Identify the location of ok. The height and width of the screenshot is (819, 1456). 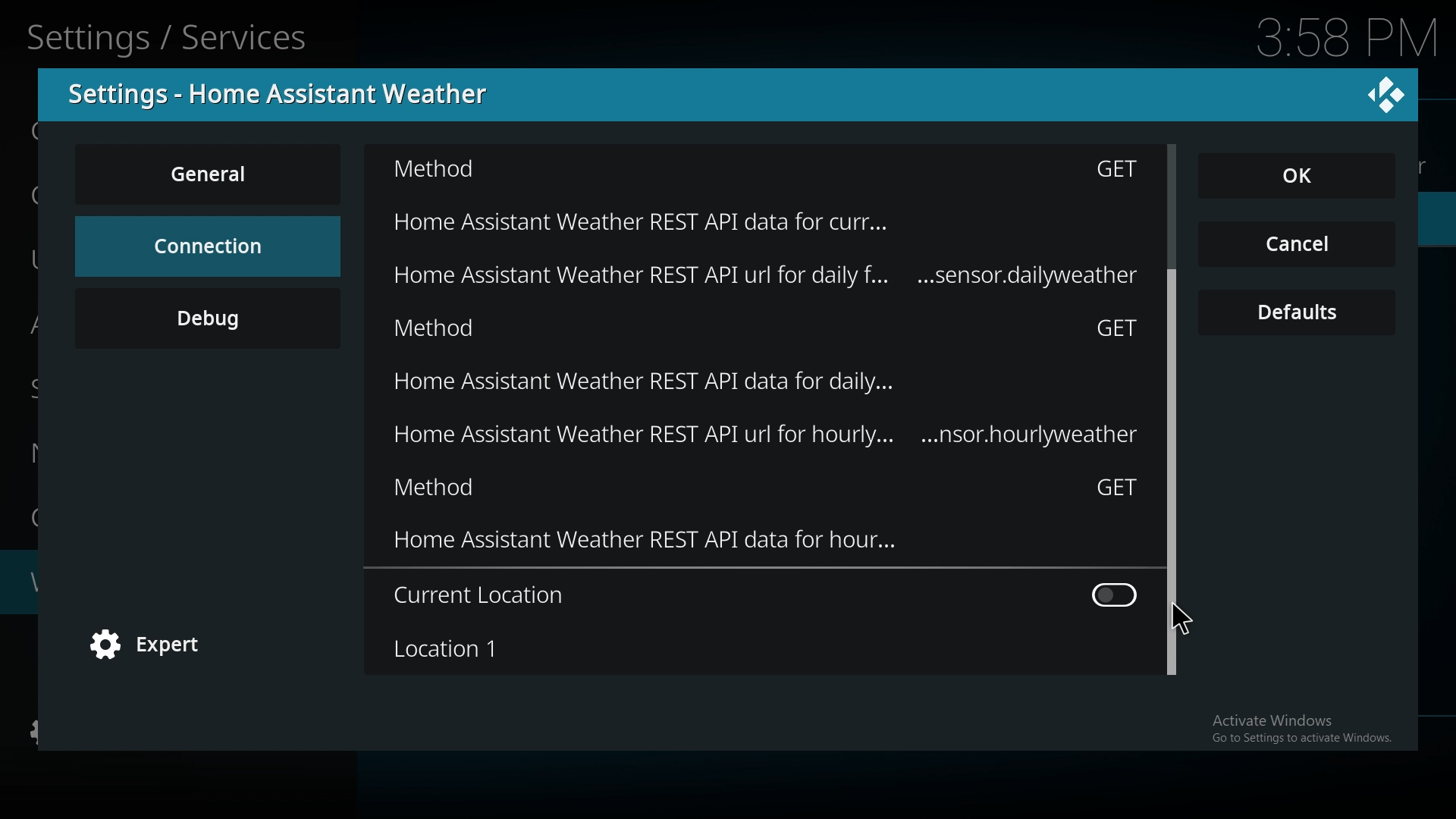
(1306, 177).